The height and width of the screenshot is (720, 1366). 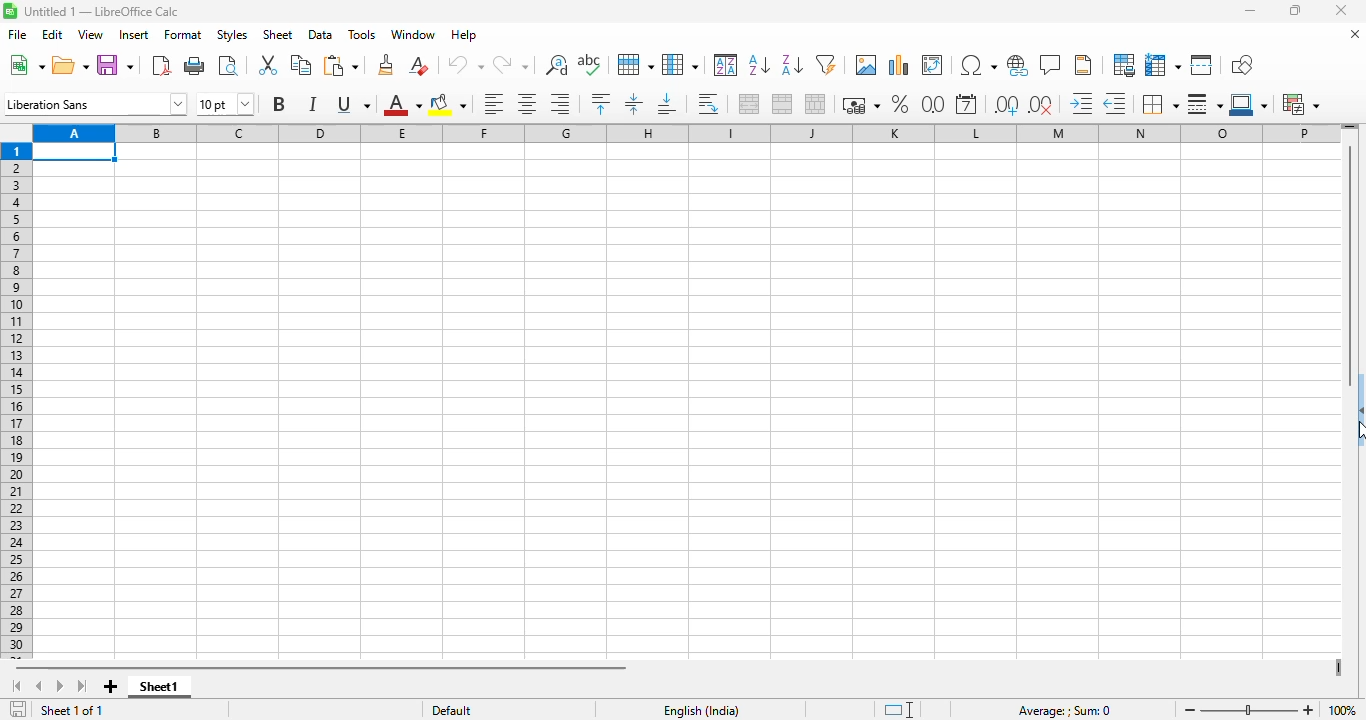 I want to click on maximize, so click(x=1296, y=10).